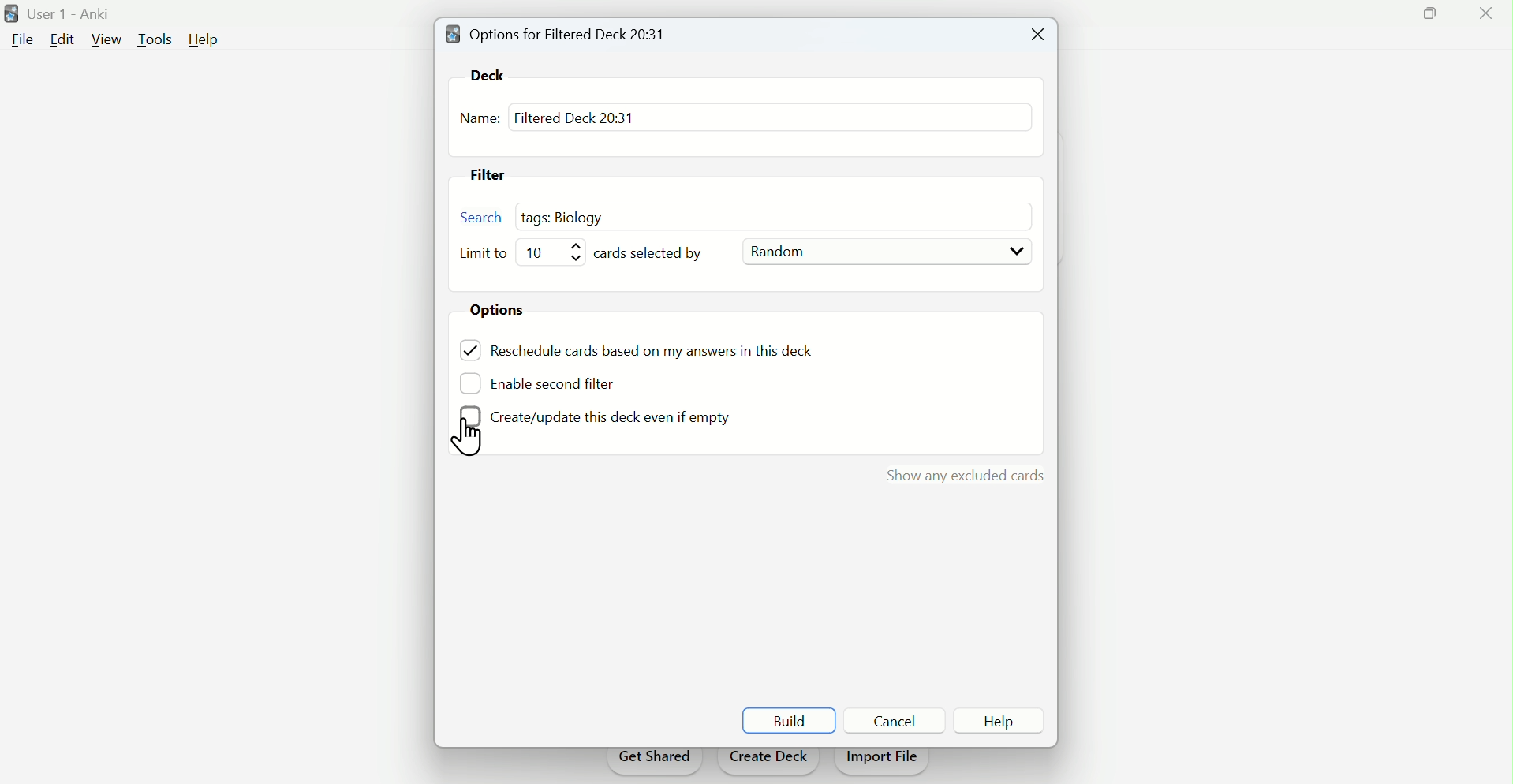 This screenshot has height=784, width=1513. What do you see at coordinates (486, 254) in the screenshot?
I see `Limit to` at bounding box center [486, 254].